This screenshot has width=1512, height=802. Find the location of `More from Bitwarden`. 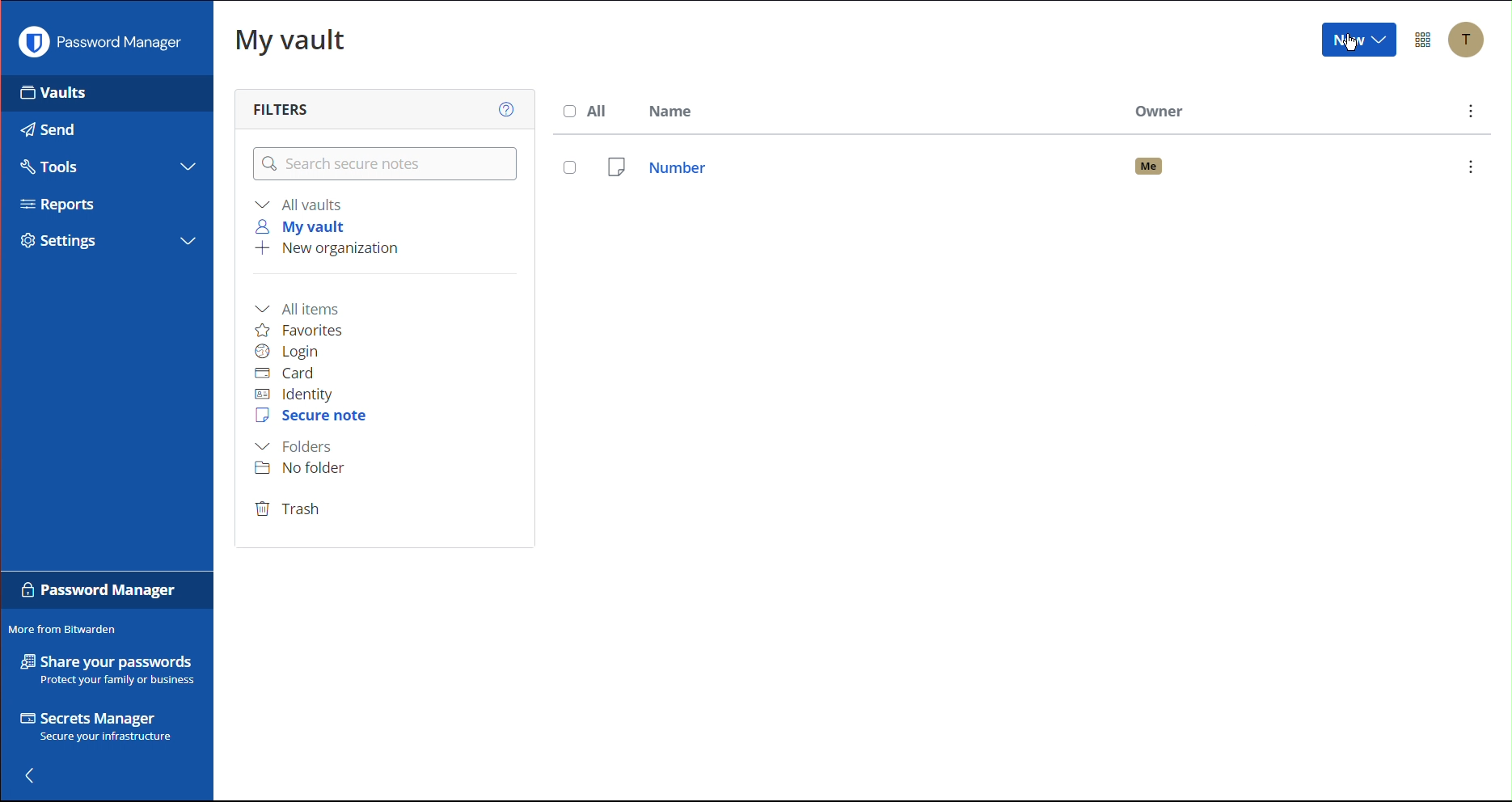

More from Bitwarden is located at coordinates (67, 630).